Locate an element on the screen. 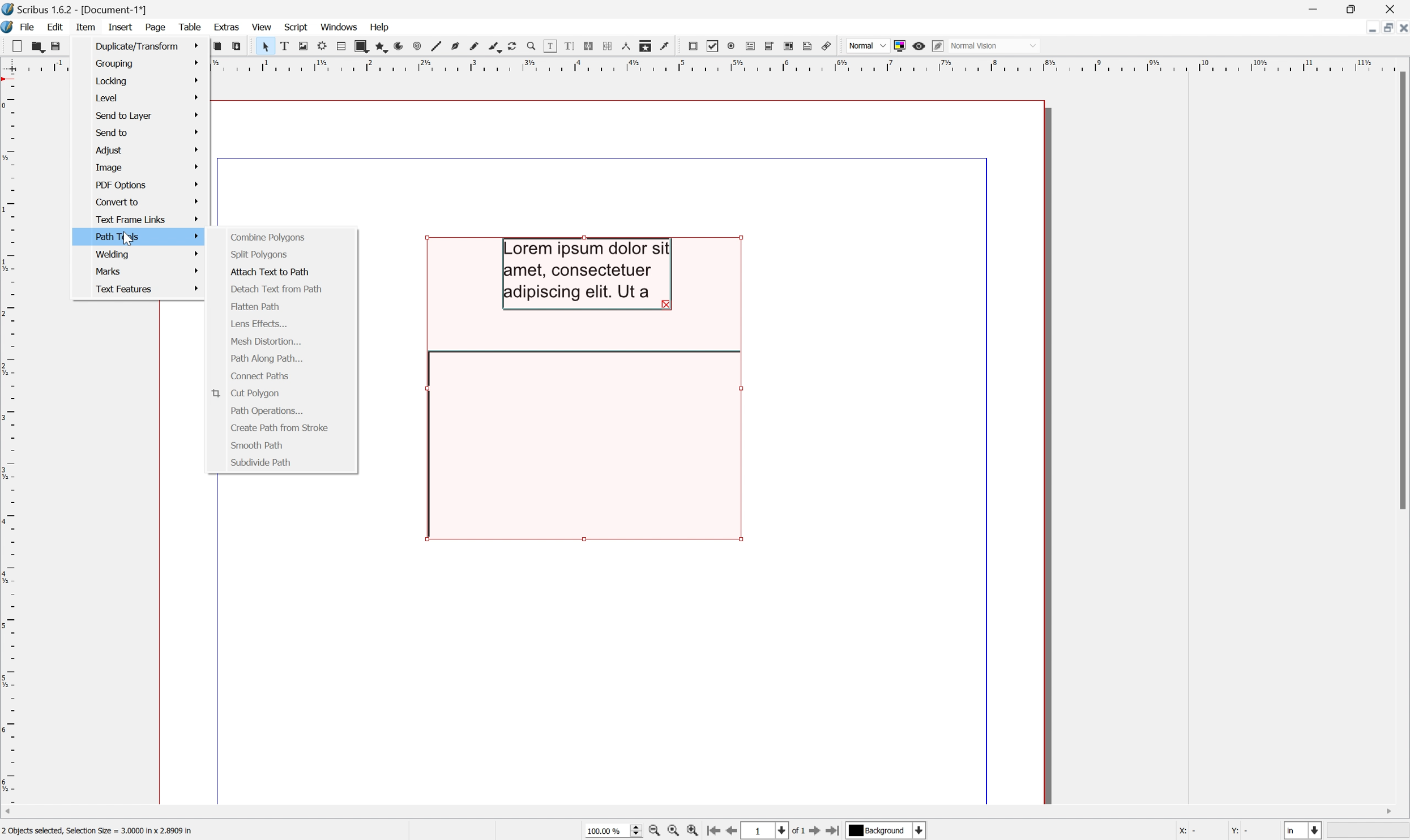  Minimize is located at coordinates (1363, 27).